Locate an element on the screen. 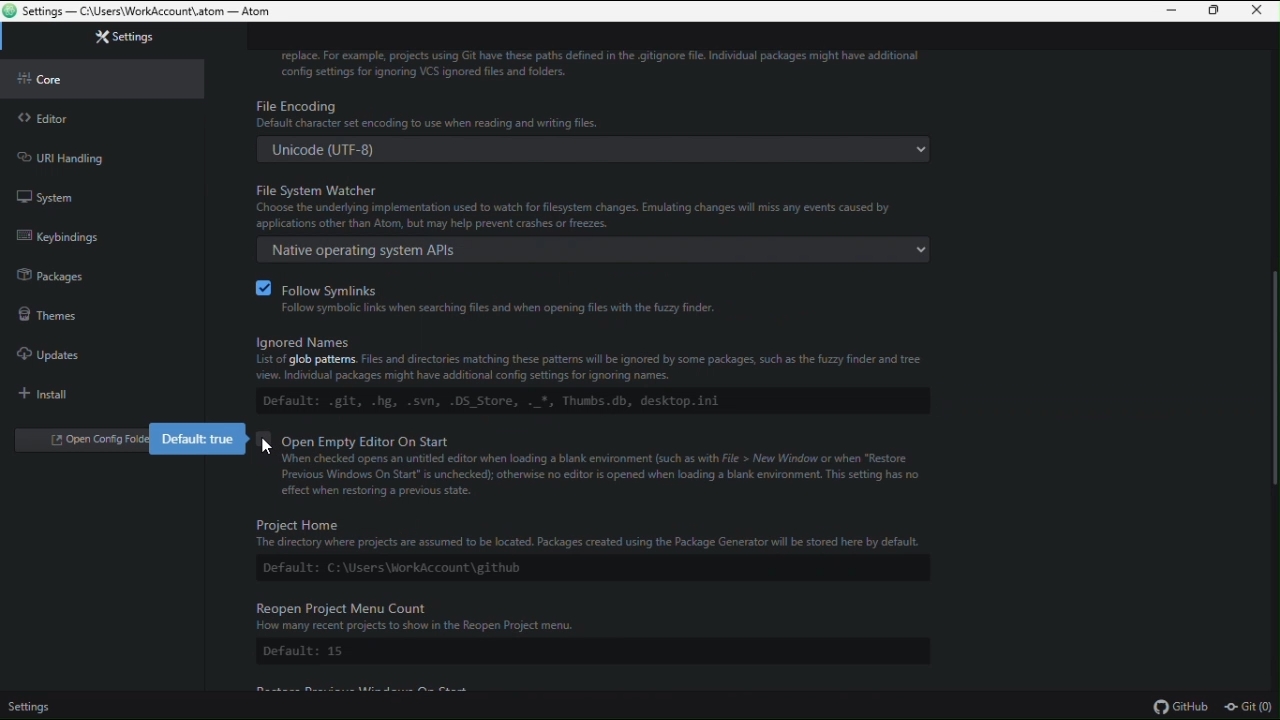  checkbox is located at coordinates (263, 437).